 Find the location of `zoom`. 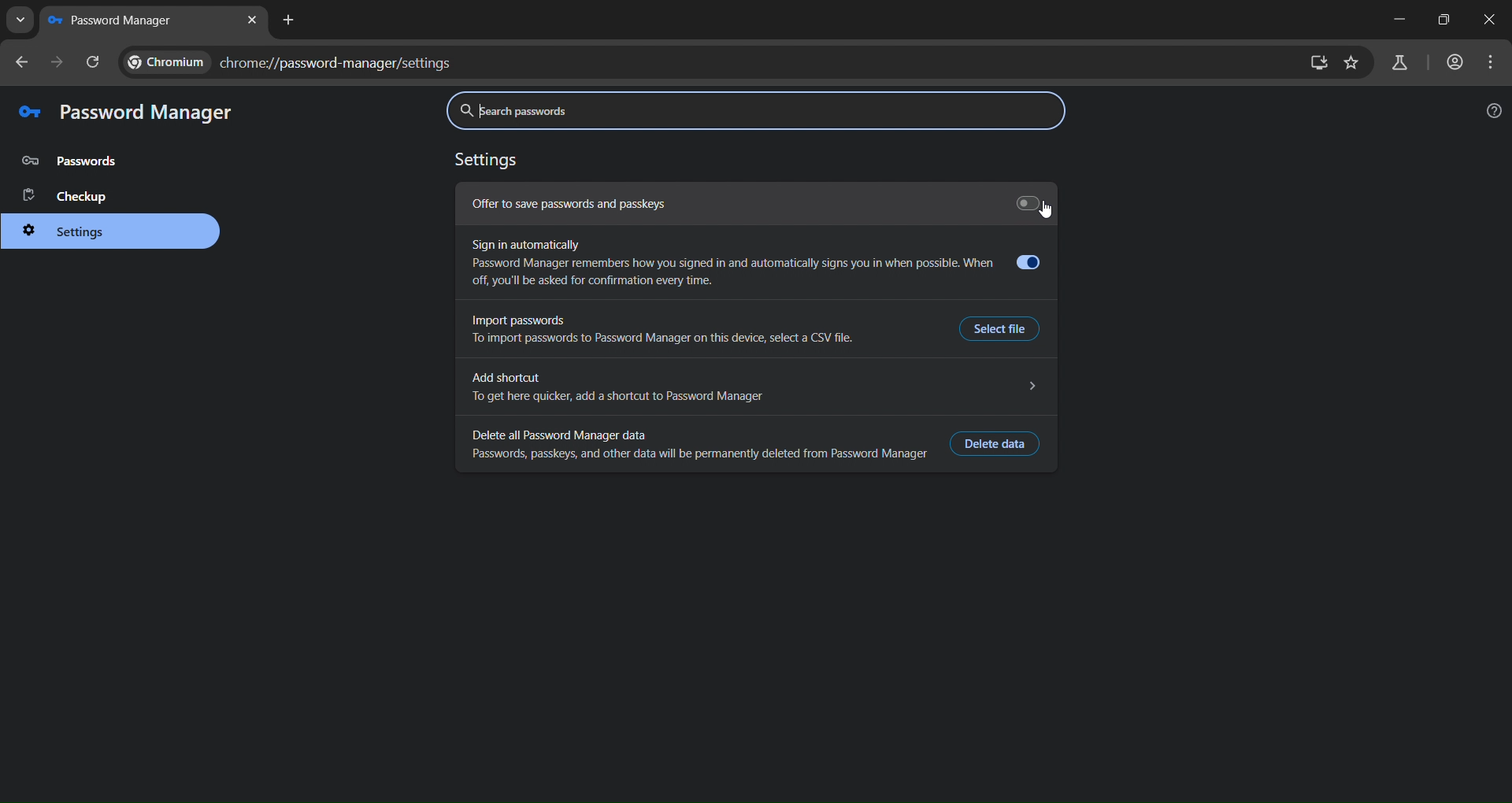

zoom is located at coordinates (1316, 65).